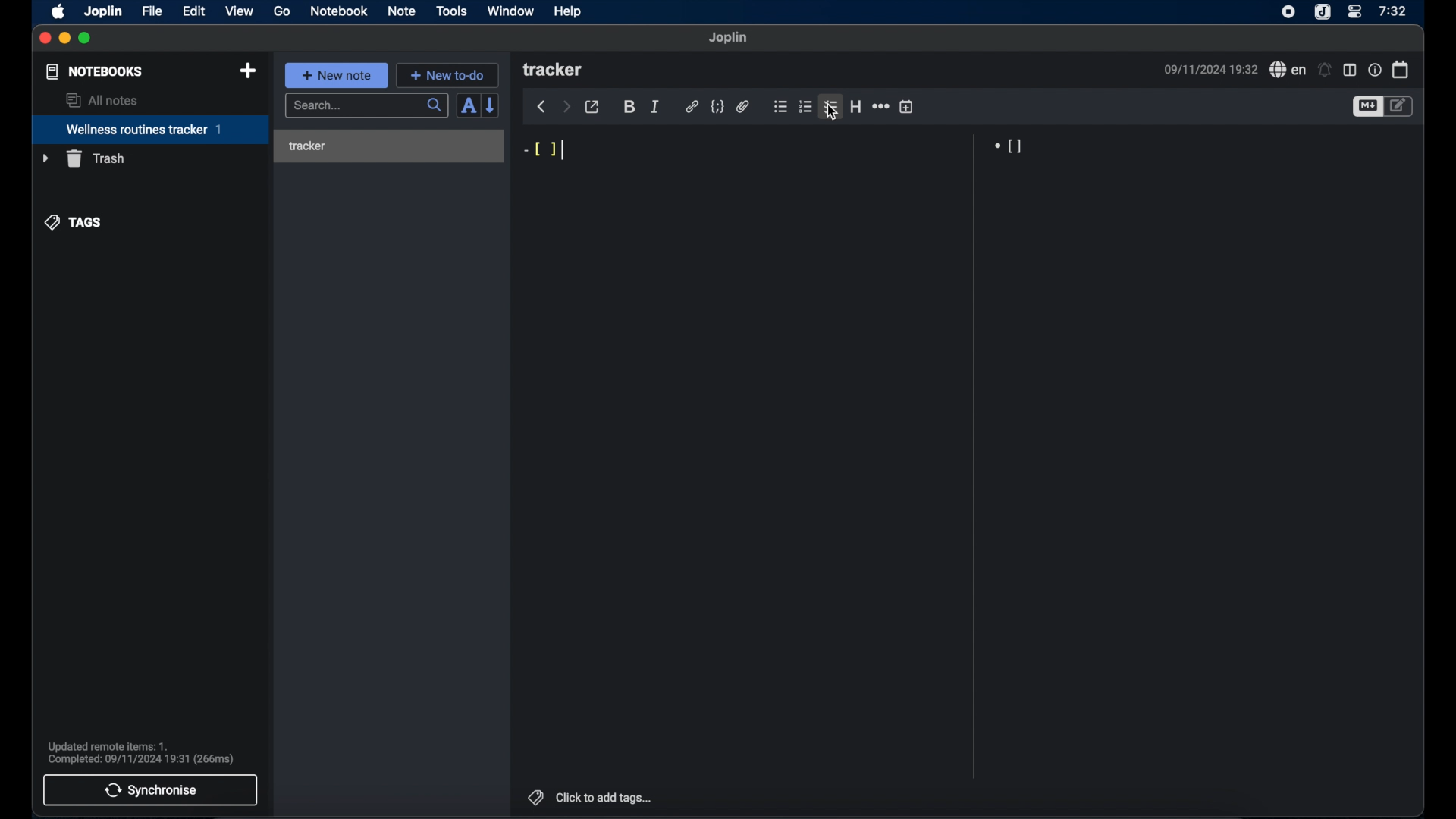  What do you see at coordinates (95, 71) in the screenshot?
I see `notebooks` at bounding box center [95, 71].